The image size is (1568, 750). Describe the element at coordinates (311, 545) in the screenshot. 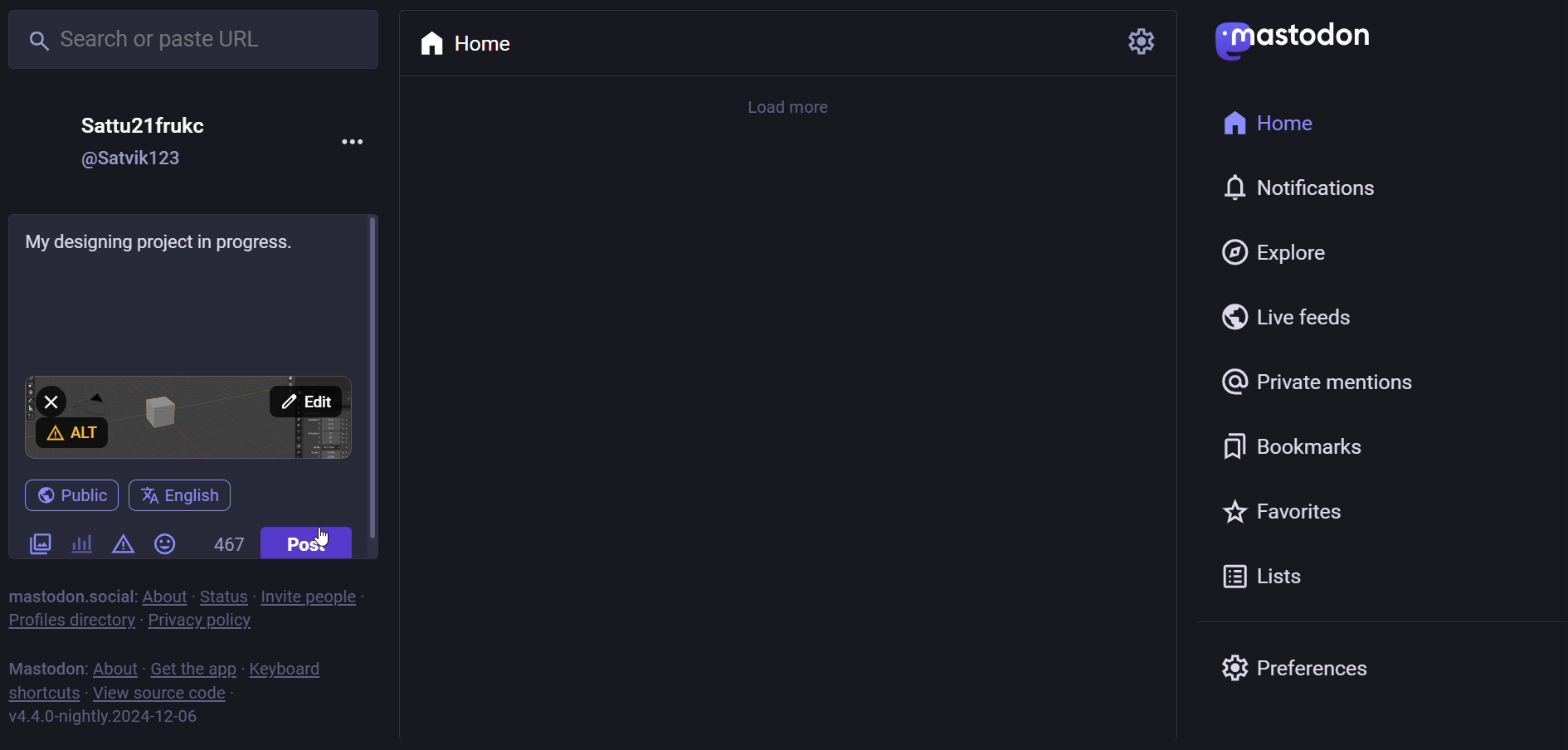

I see `post` at that location.